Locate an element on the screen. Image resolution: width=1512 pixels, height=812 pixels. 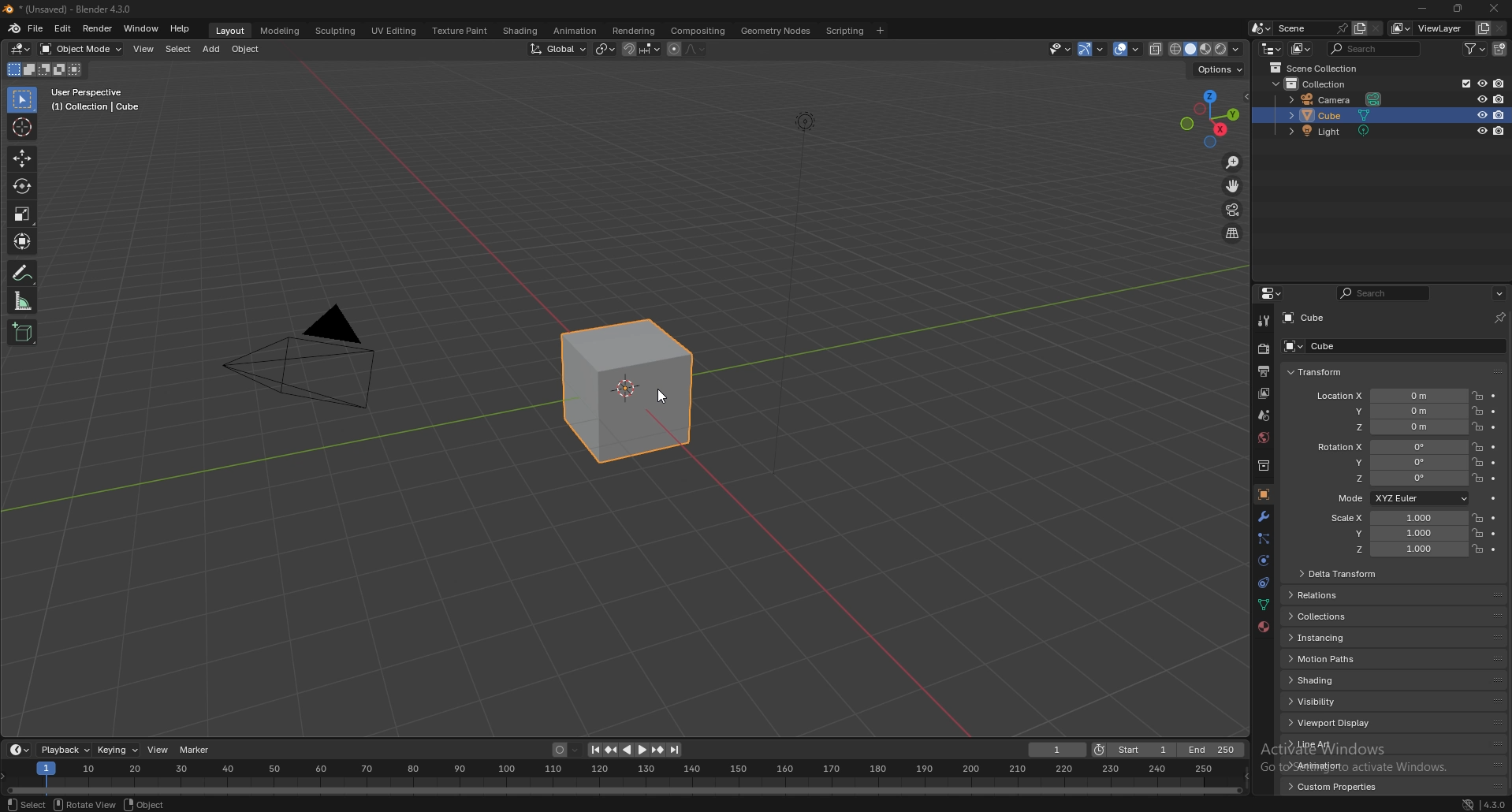
disable in renders is located at coordinates (1499, 84).